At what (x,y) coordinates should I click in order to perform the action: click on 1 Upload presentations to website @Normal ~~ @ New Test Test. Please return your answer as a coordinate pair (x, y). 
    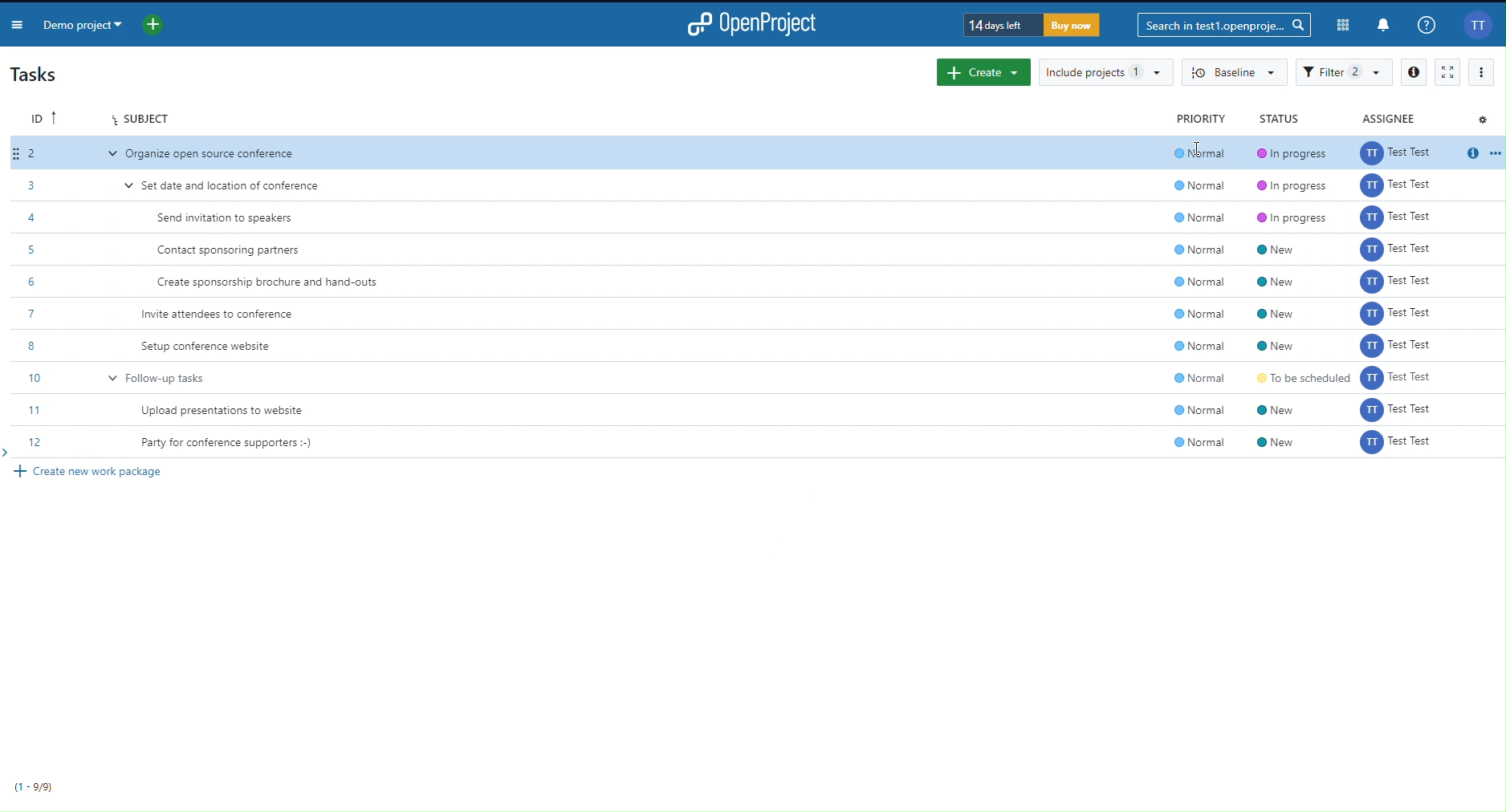
    Looking at the image, I should click on (764, 407).